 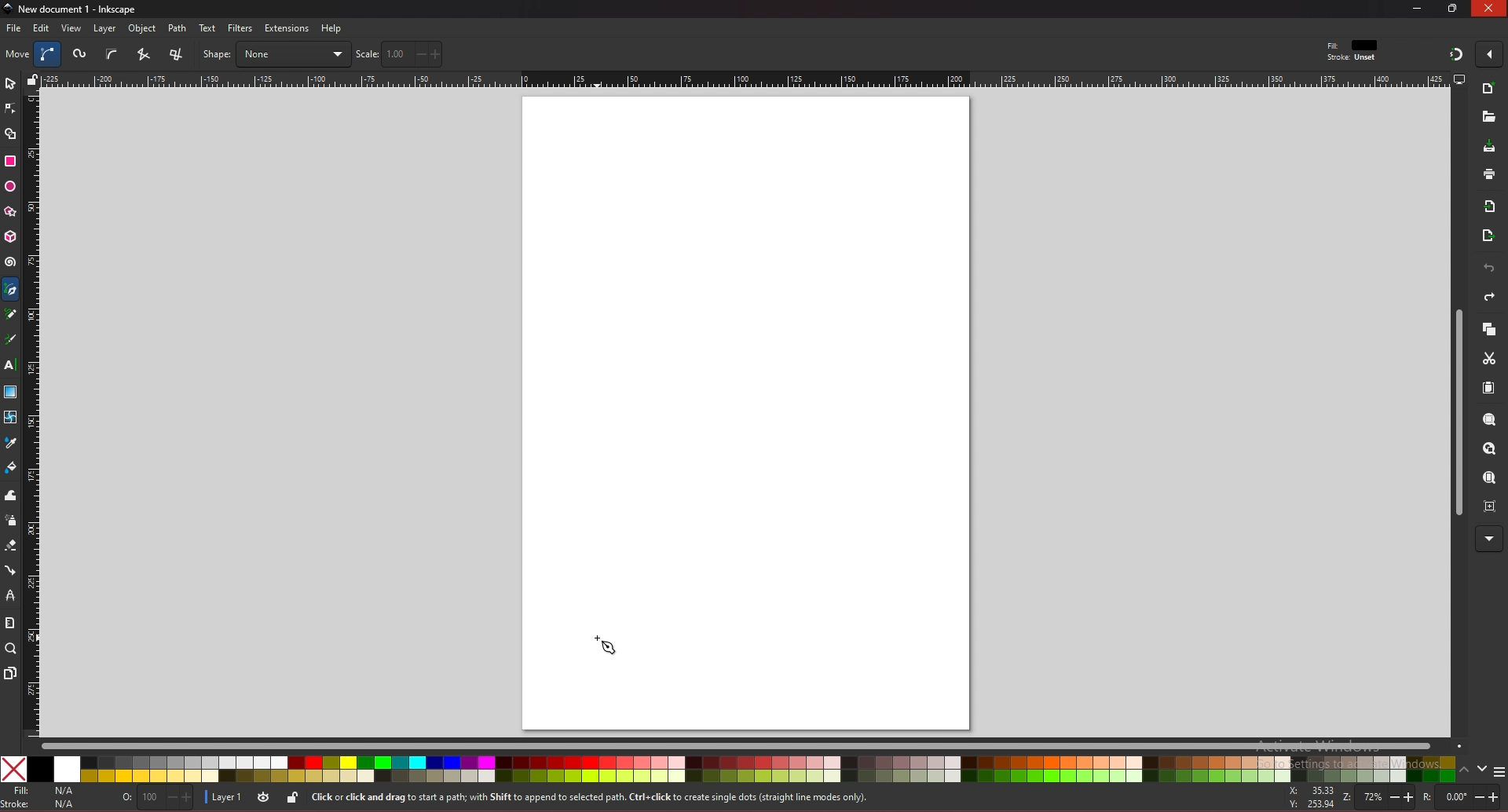 What do you see at coordinates (751, 744) in the screenshot?
I see `scroll bar` at bounding box center [751, 744].